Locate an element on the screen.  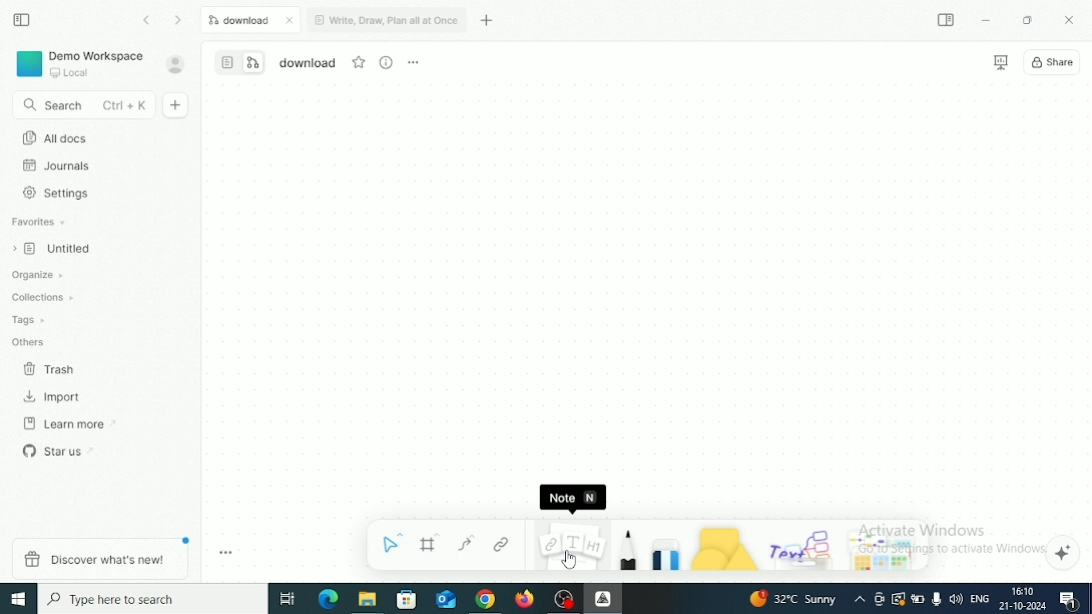
Share is located at coordinates (1052, 62).